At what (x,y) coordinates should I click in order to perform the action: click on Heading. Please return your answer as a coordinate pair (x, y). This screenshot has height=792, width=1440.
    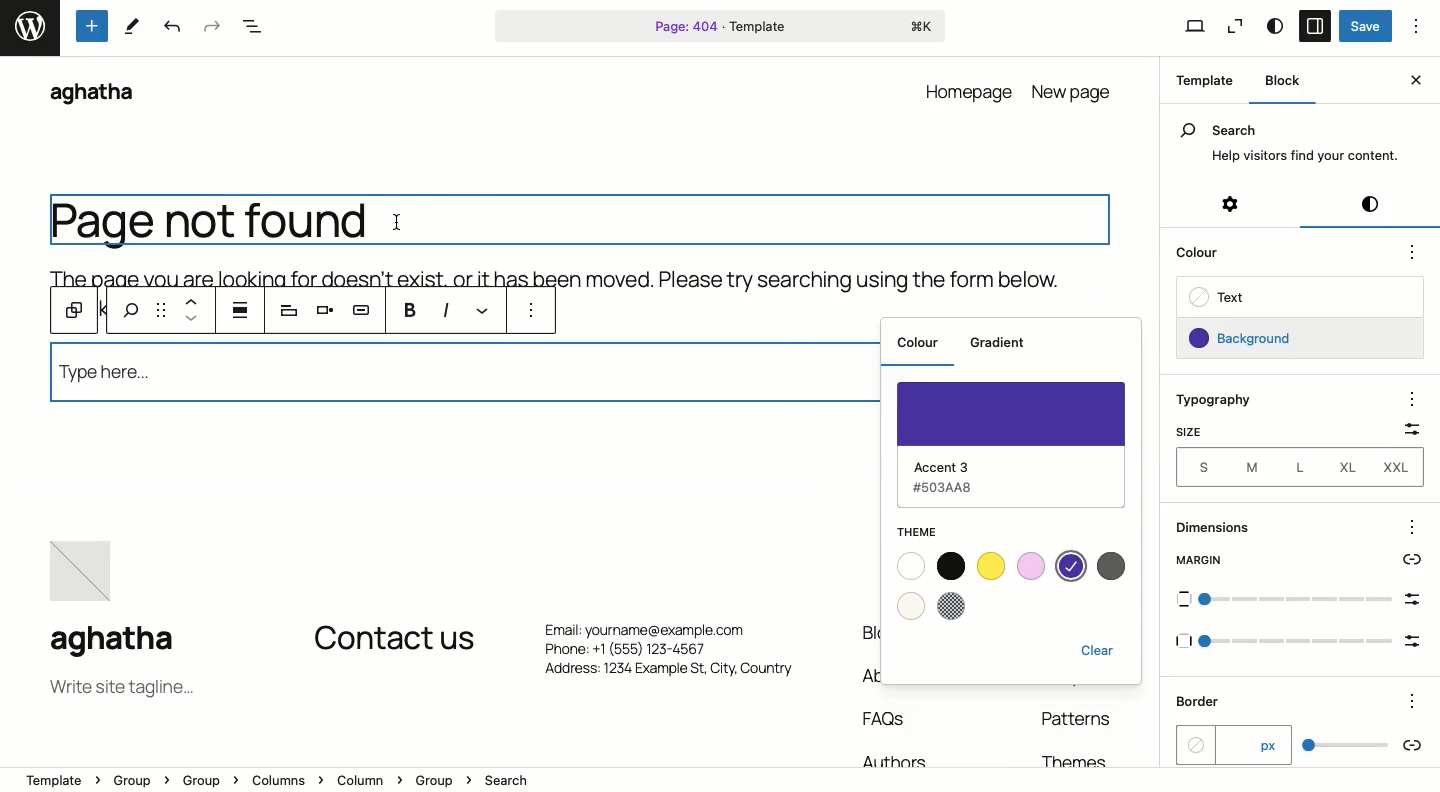
    Looking at the image, I should click on (289, 311).